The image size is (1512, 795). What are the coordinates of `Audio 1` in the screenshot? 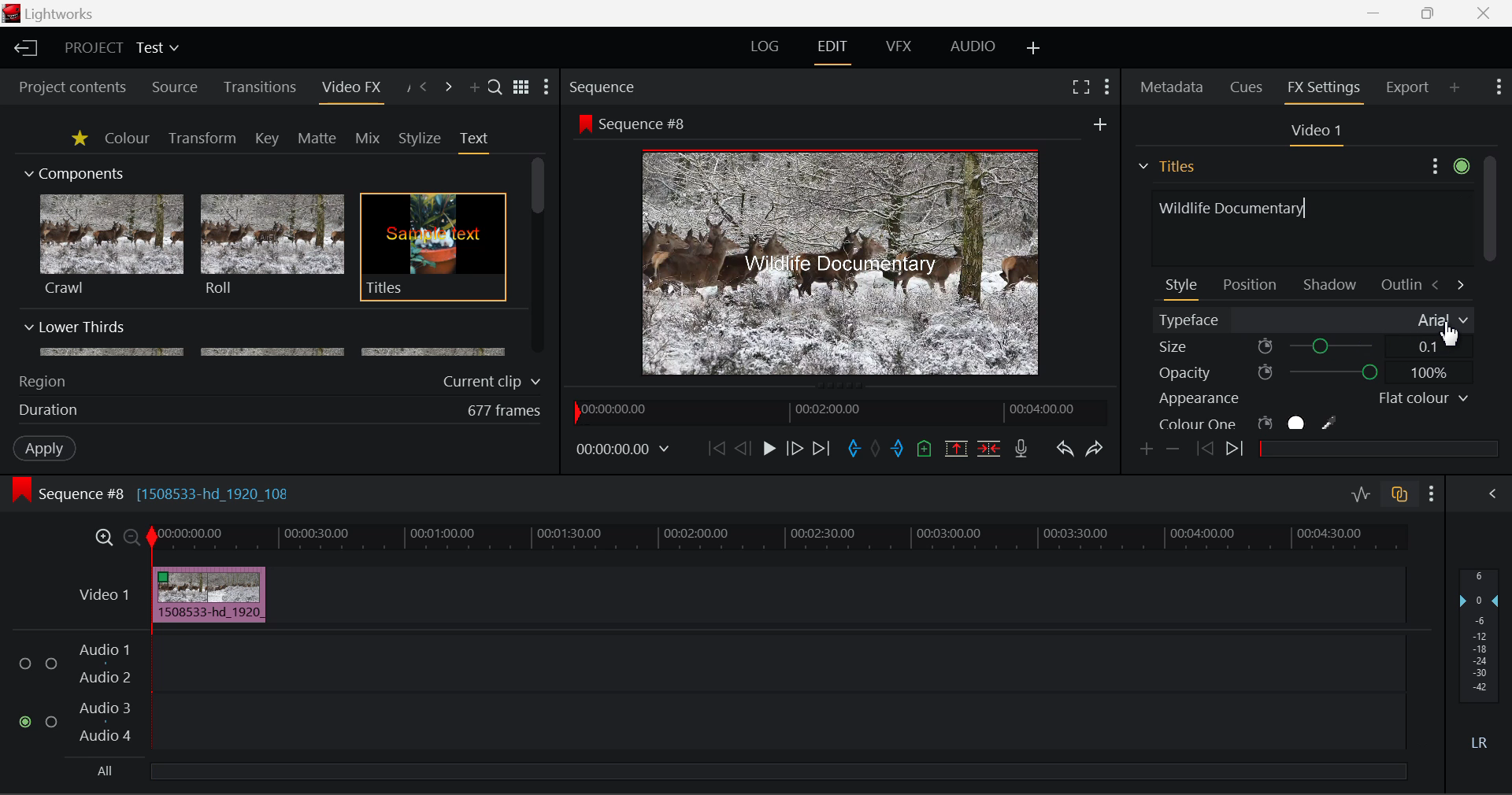 It's located at (102, 652).